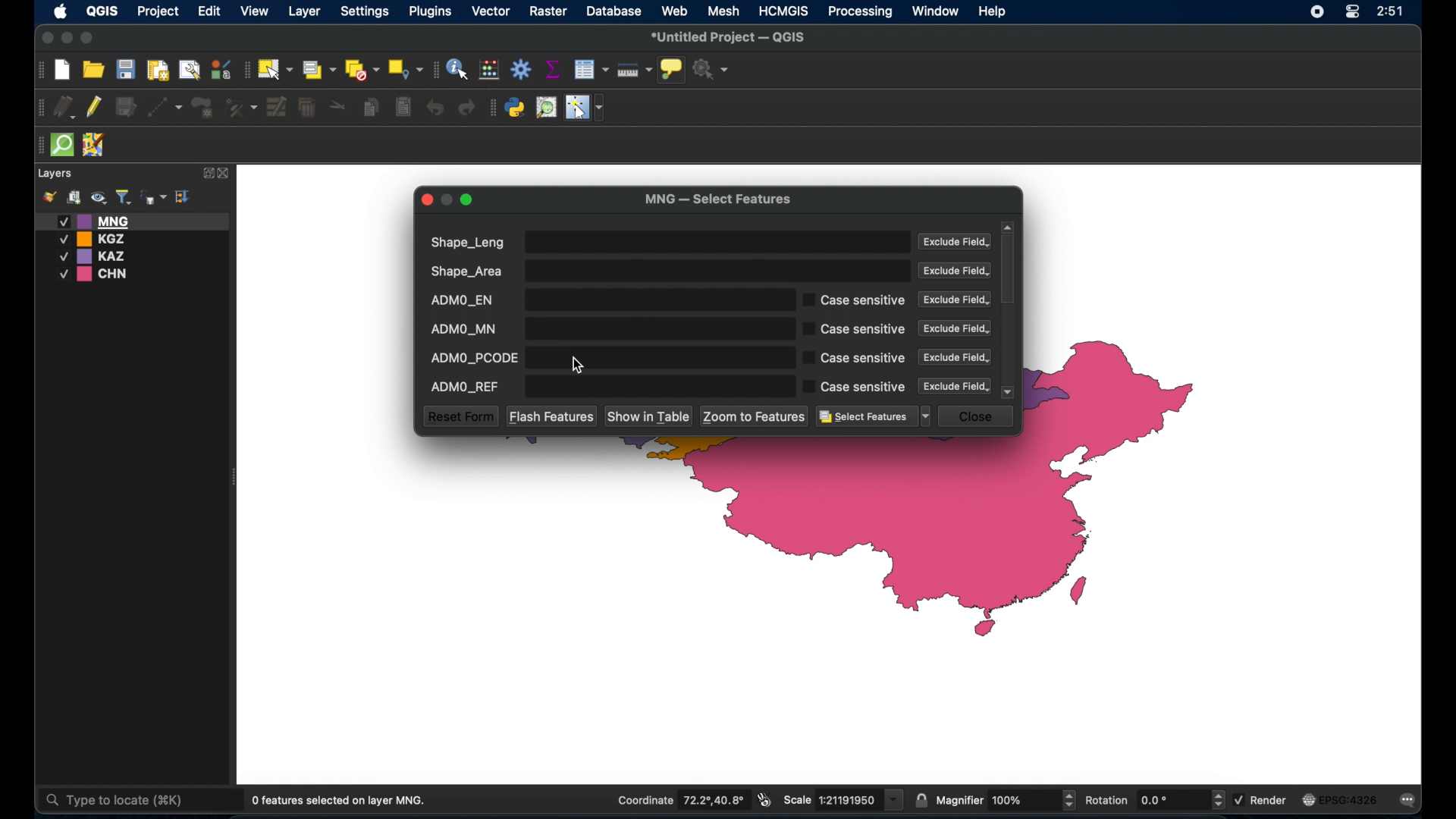 Image resolution: width=1456 pixels, height=819 pixels. What do you see at coordinates (853, 358) in the screenshot?
I see `case sensitive` at bounding box center [853, 358].